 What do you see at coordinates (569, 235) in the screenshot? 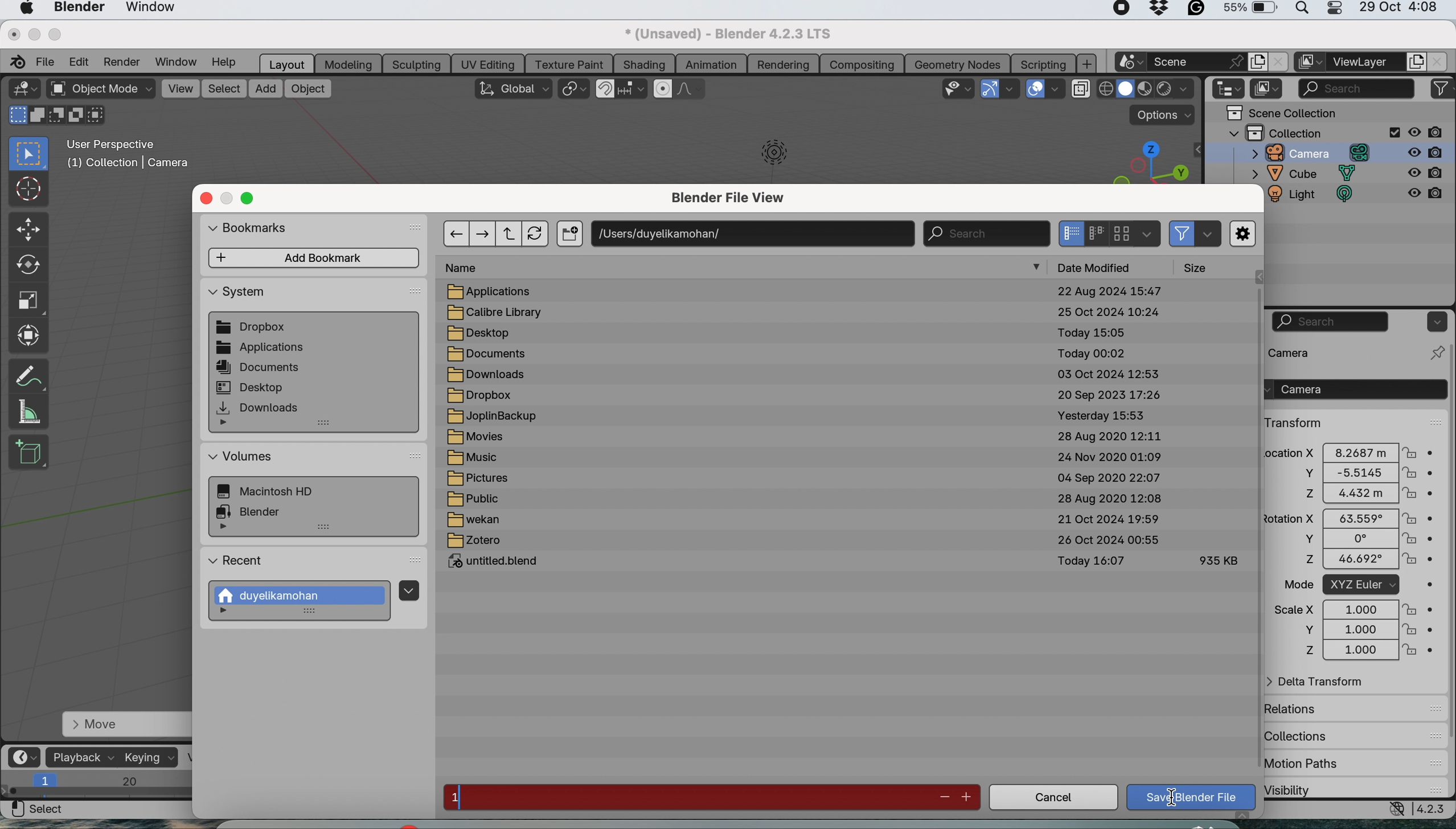
I see `create new directory` at bounding box center [569, 235].